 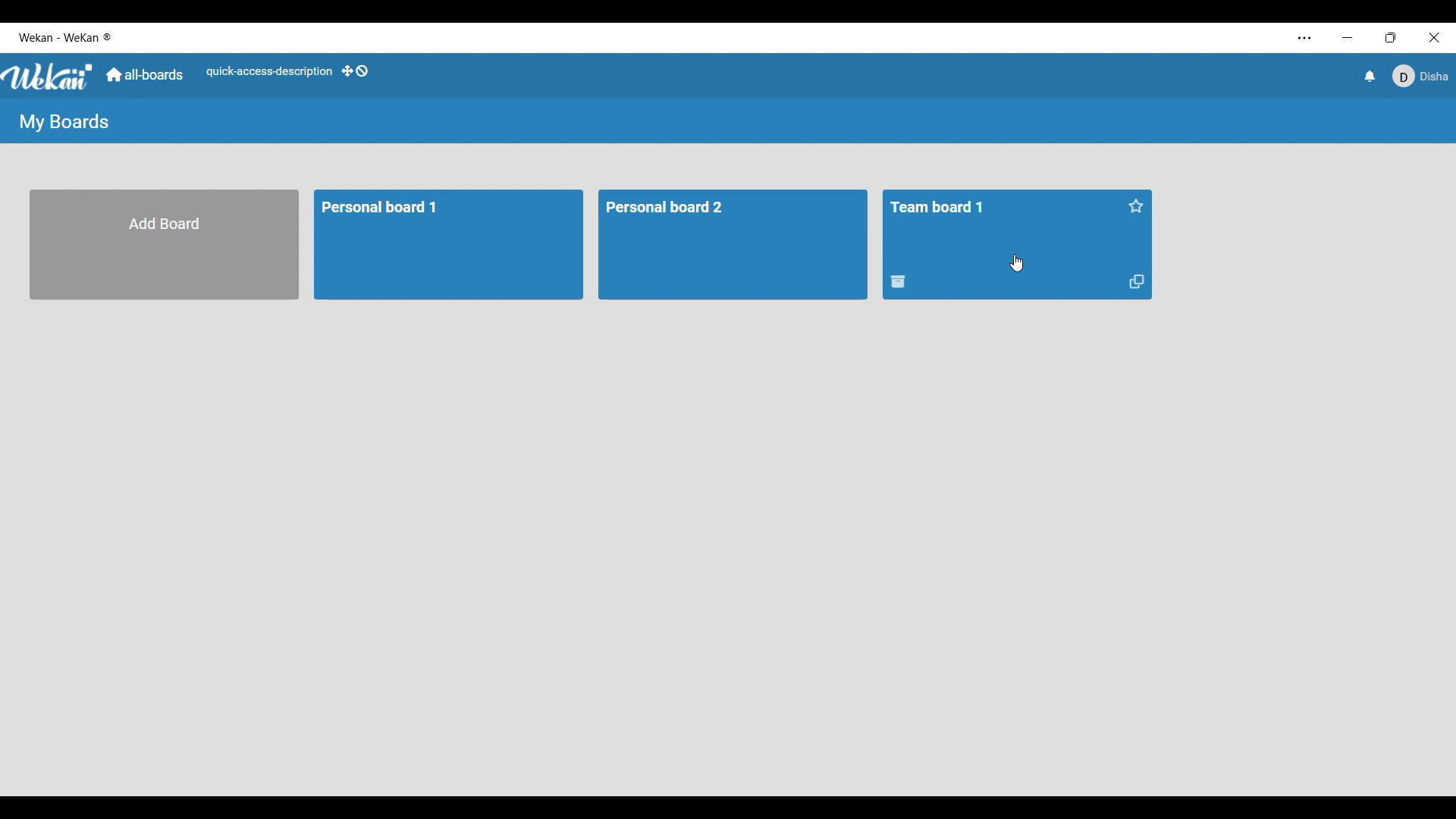 What do you see at coordinates (70, 38) in the screenshot?
I see `Board name included` at bounding box center [70, 38].